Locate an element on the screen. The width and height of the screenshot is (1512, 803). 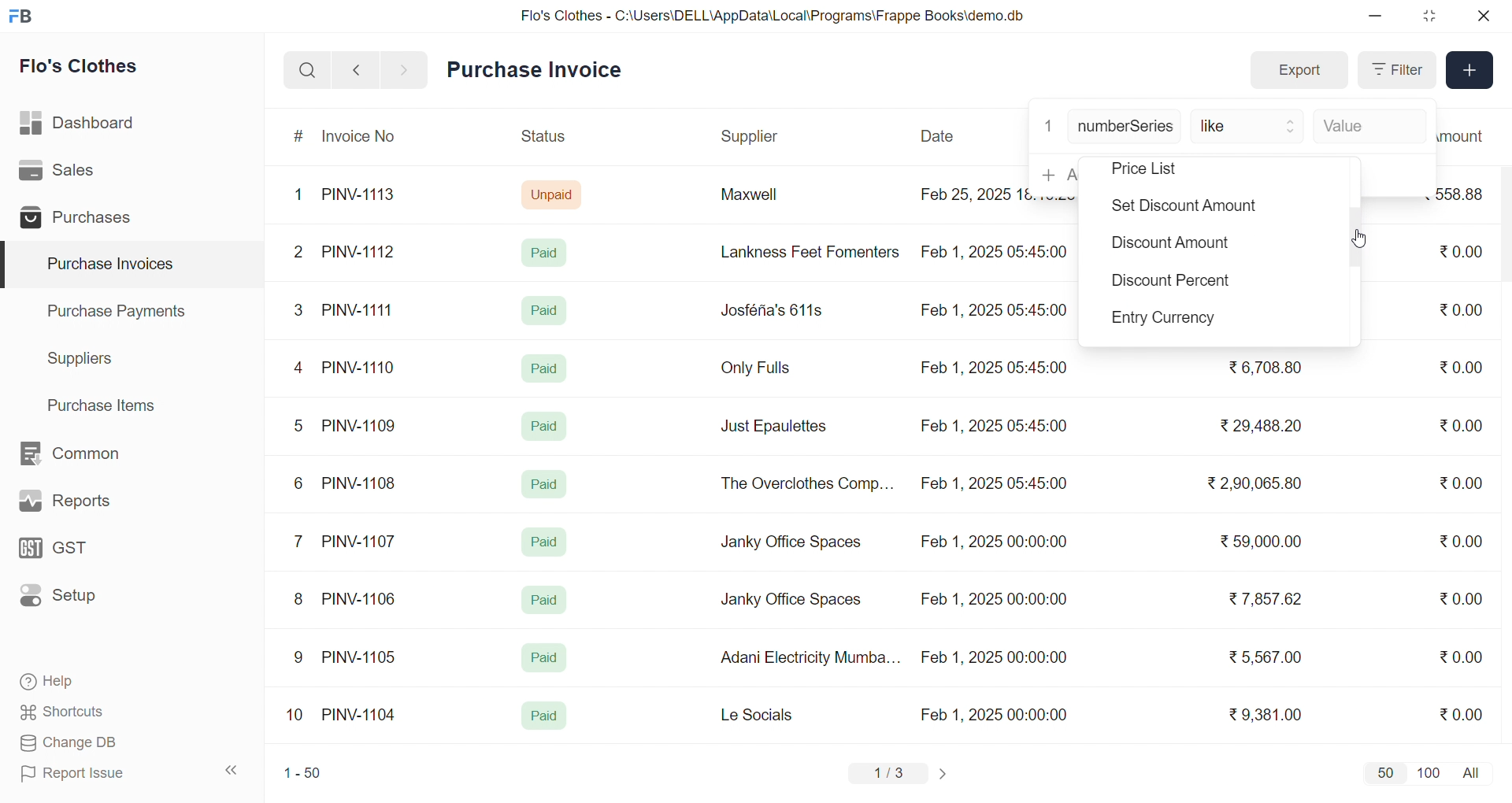
1 is located at coordinates (1048, 124).